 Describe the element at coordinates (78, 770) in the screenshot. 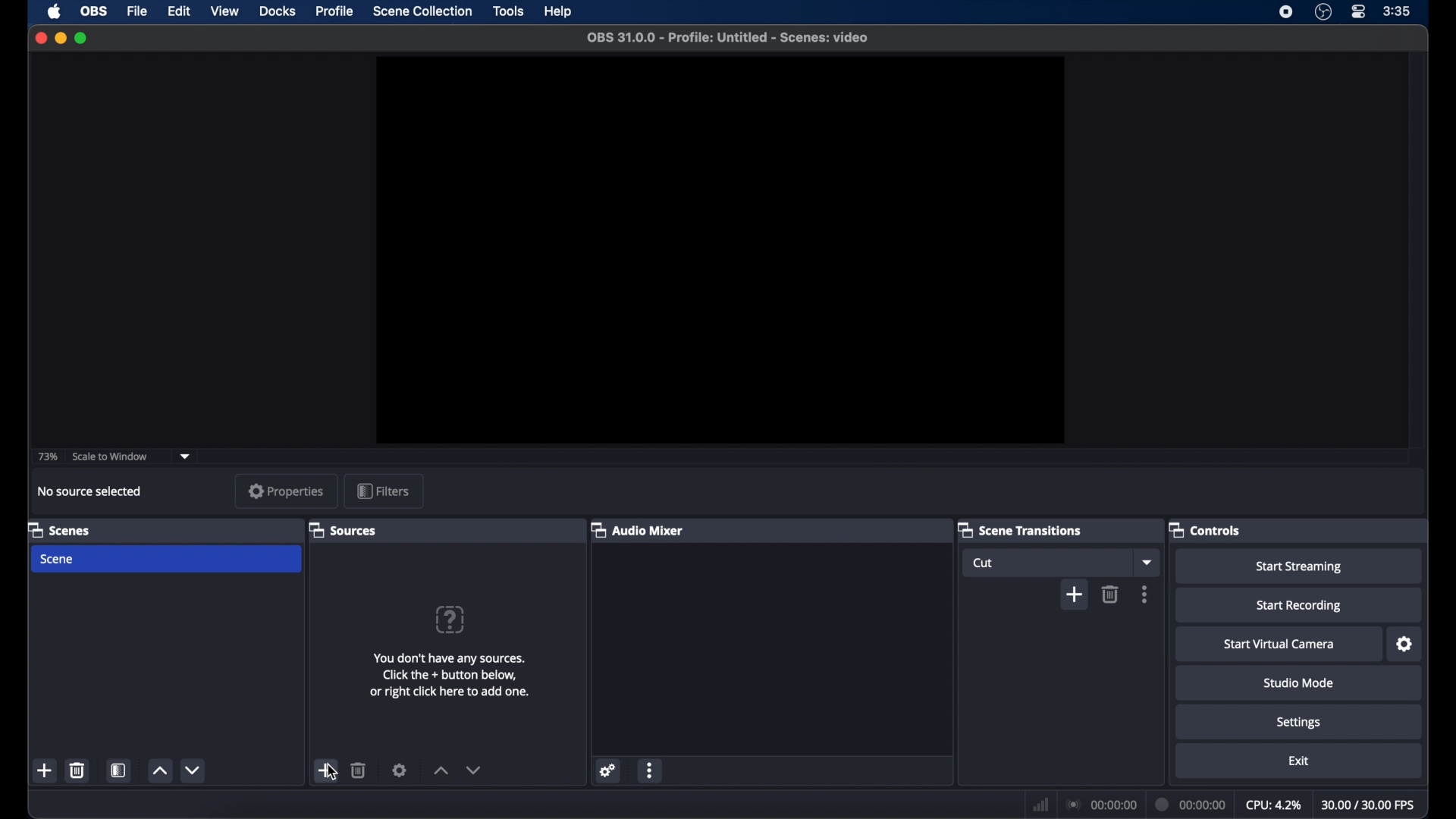

I see `delete` at that location.